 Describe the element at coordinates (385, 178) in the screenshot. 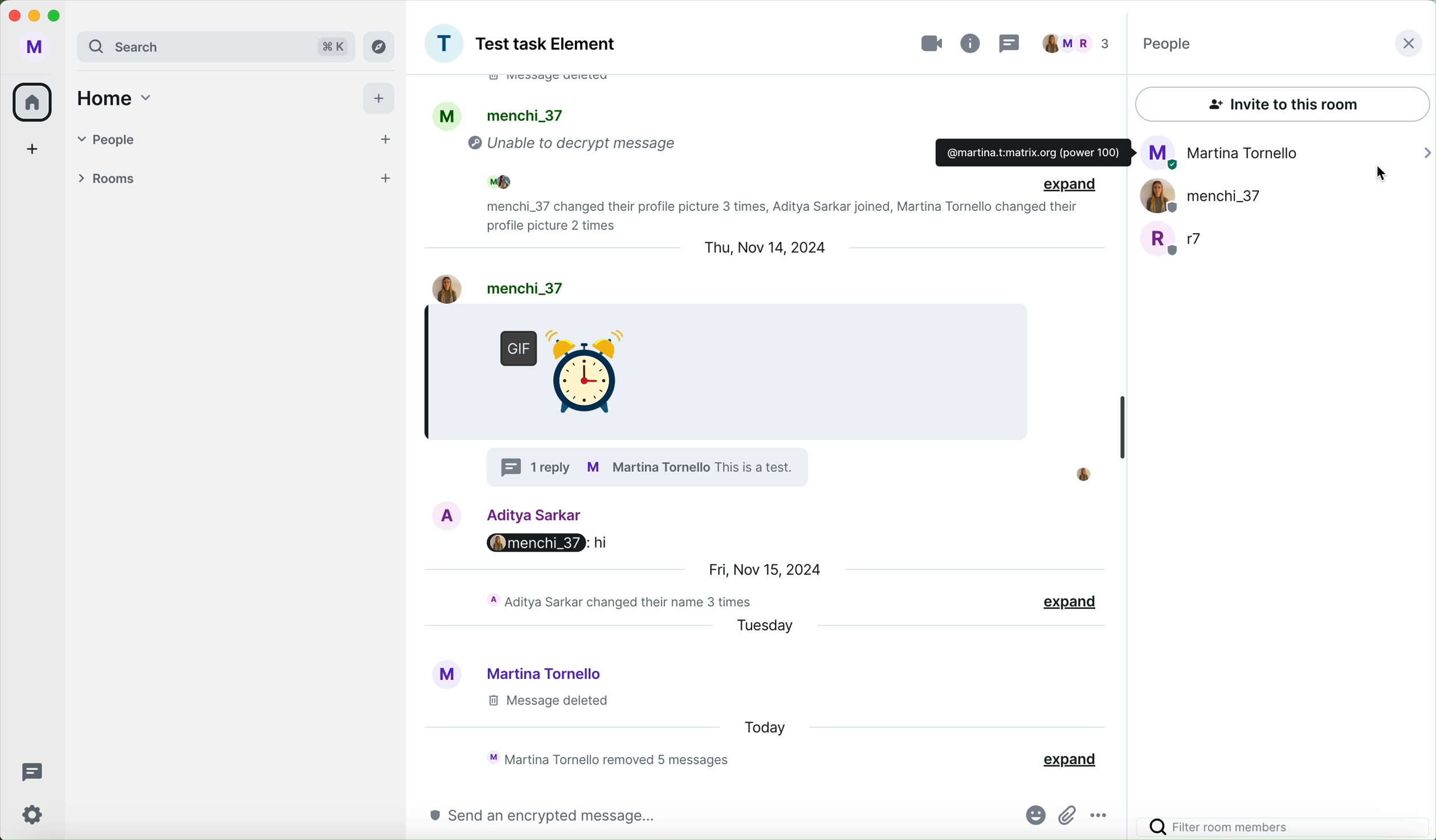

I see `add` at that location.